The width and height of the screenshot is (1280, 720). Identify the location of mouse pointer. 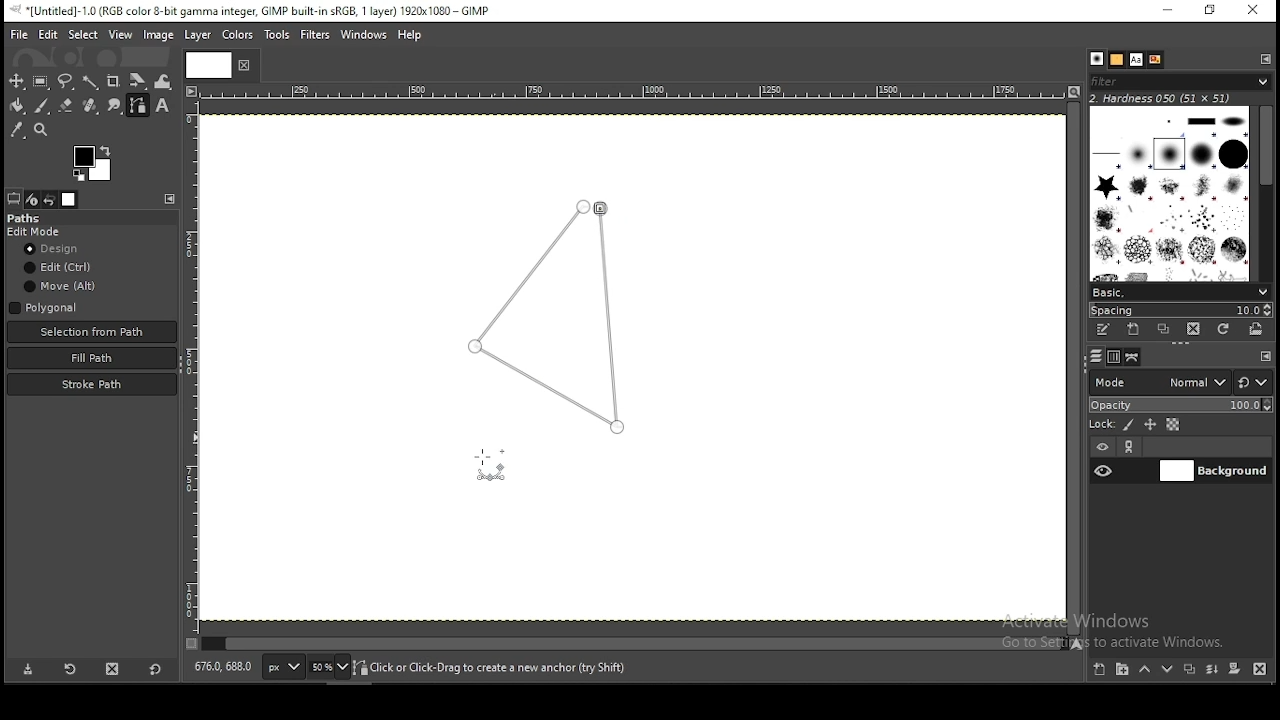
(484, 467).